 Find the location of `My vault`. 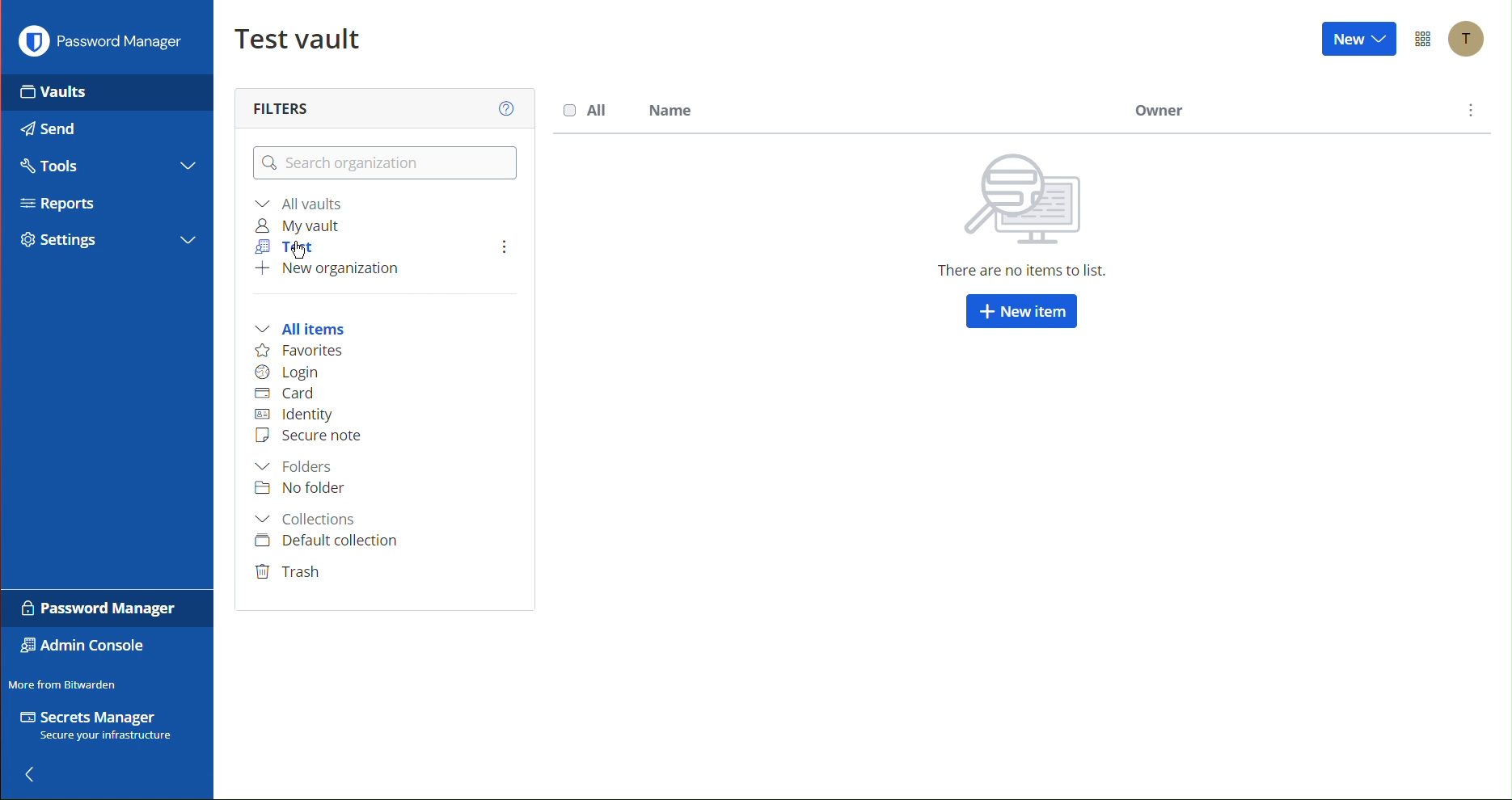

My vault is located at coordinates (293, 36).